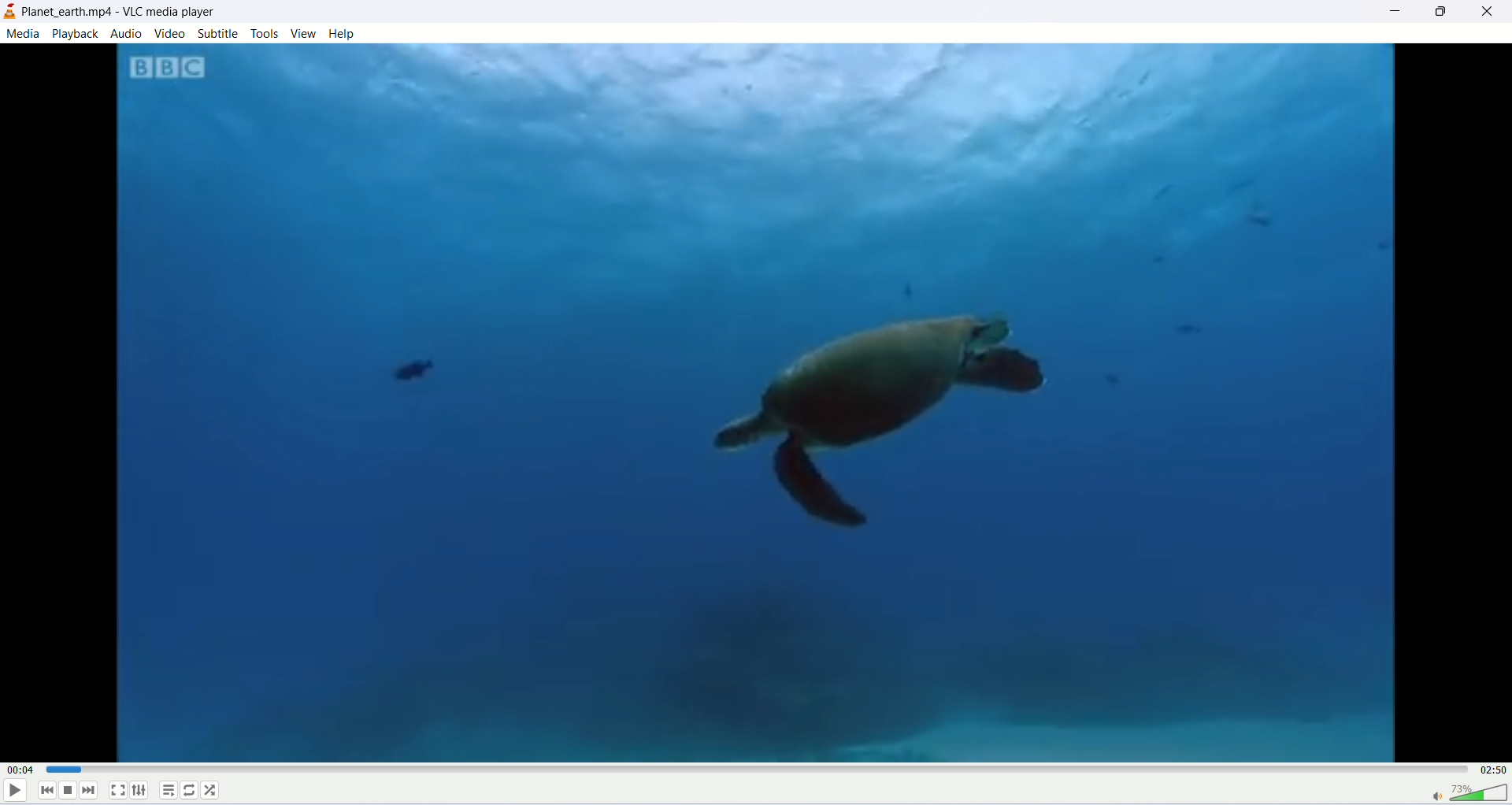 This screenshot has width=1512, height=805. What do you see at coordinates (1443, 13) in the screenshot?
I see `maximize` at bounding box center [1443, 13].